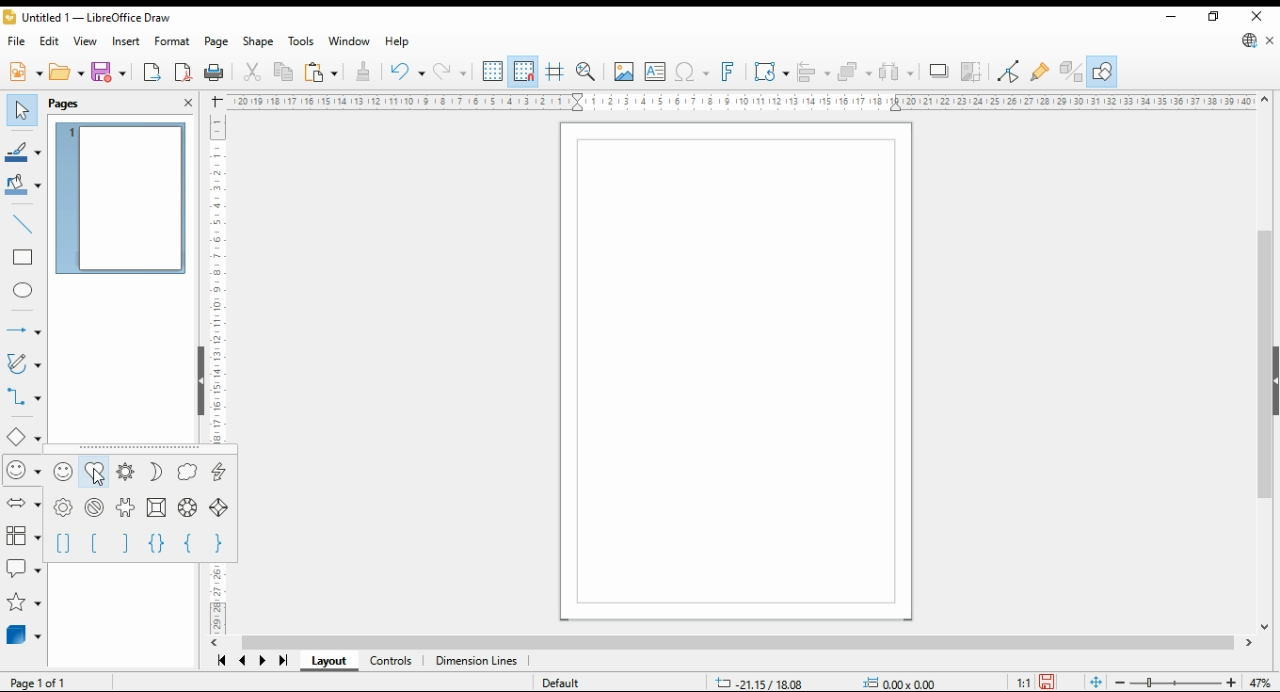 Image resolution: width=1280 pixels, height=692 pixels. What do you see at coordinates (1270, 40) in the screenshot?
I see `close document` at bounding box center [1270, 40].